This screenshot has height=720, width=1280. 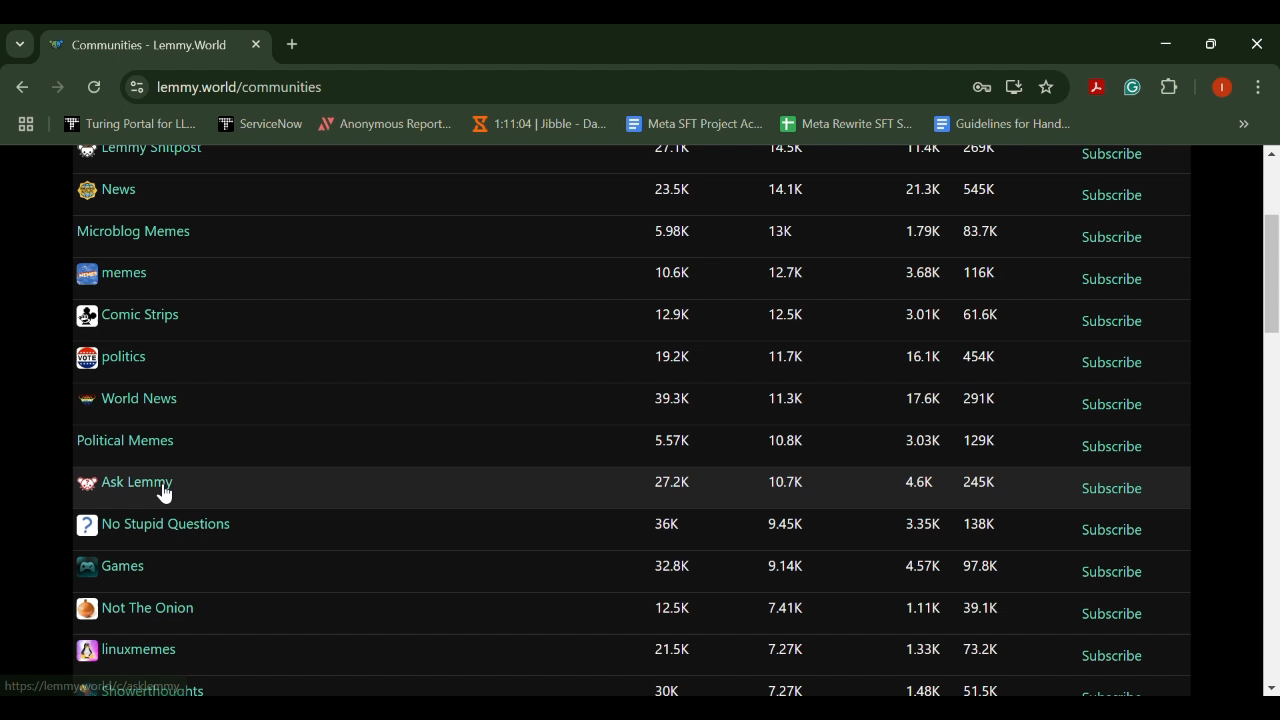 I want to click on memes, so click(x=113, y=276).